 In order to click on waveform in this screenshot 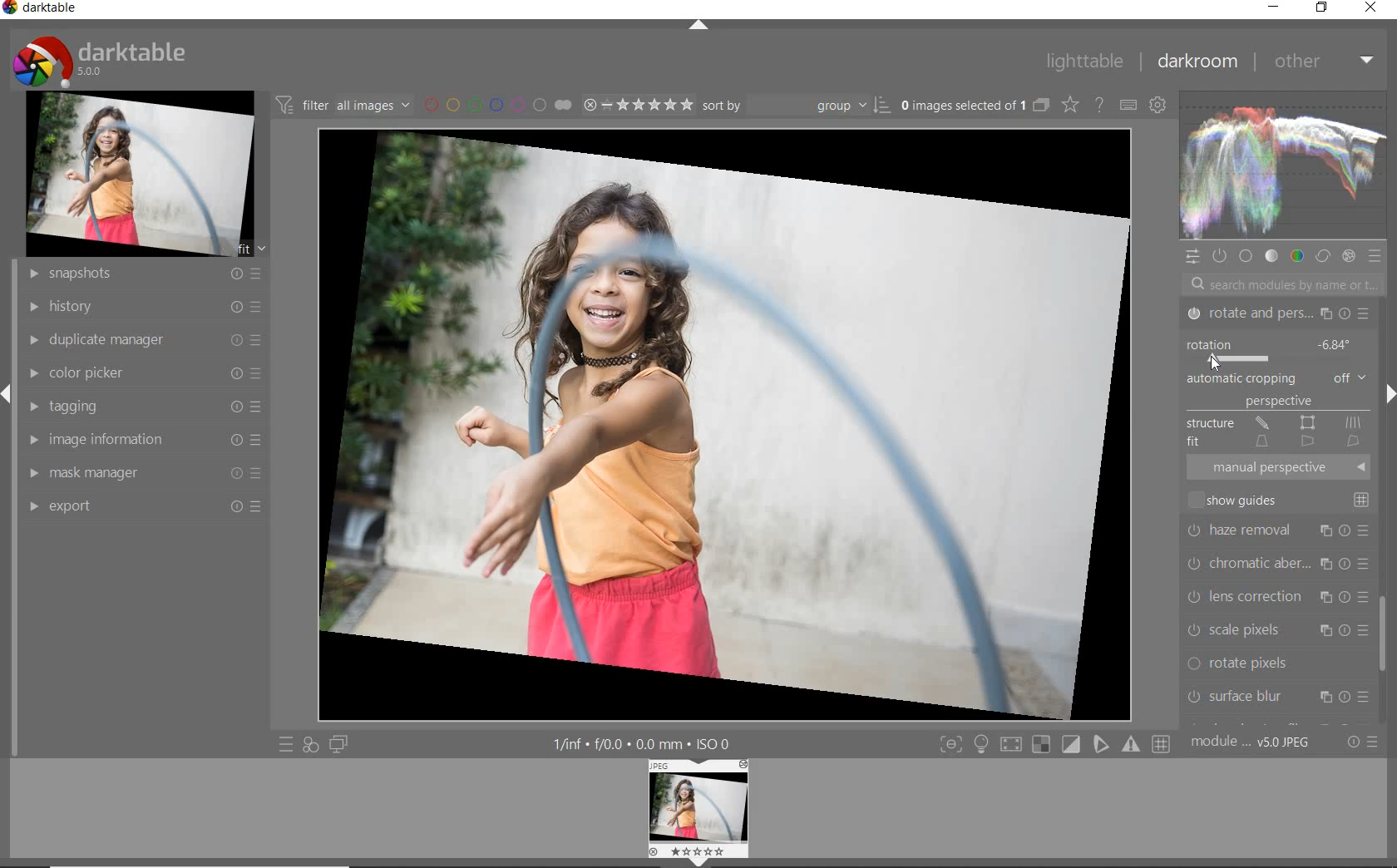, I will do `click(1281, 165)`.